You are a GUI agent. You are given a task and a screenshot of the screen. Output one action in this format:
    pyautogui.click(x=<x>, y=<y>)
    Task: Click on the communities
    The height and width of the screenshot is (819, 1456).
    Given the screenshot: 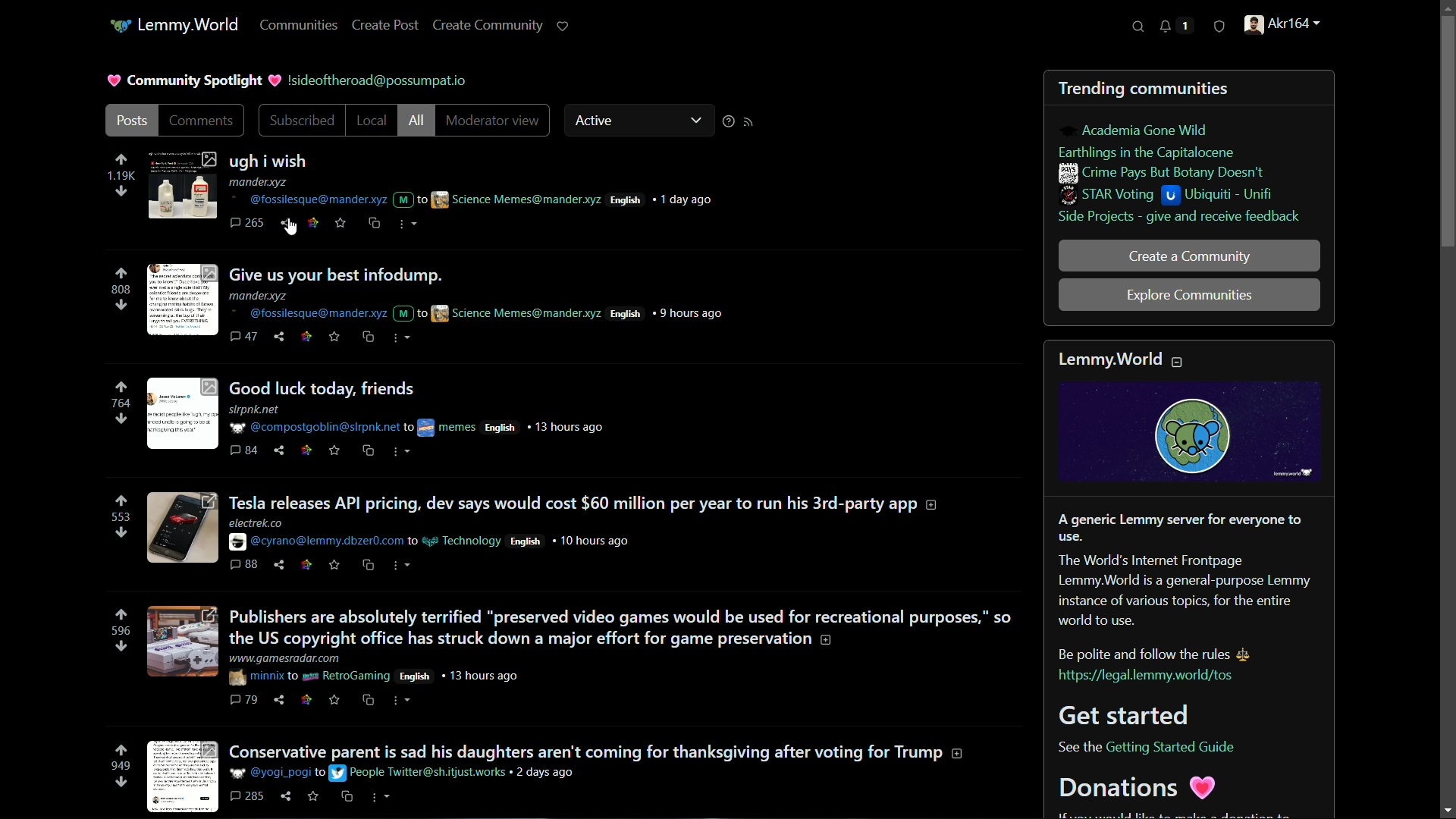 What is the action you would take?
    pyautogui.click(x=301, y=25)
    